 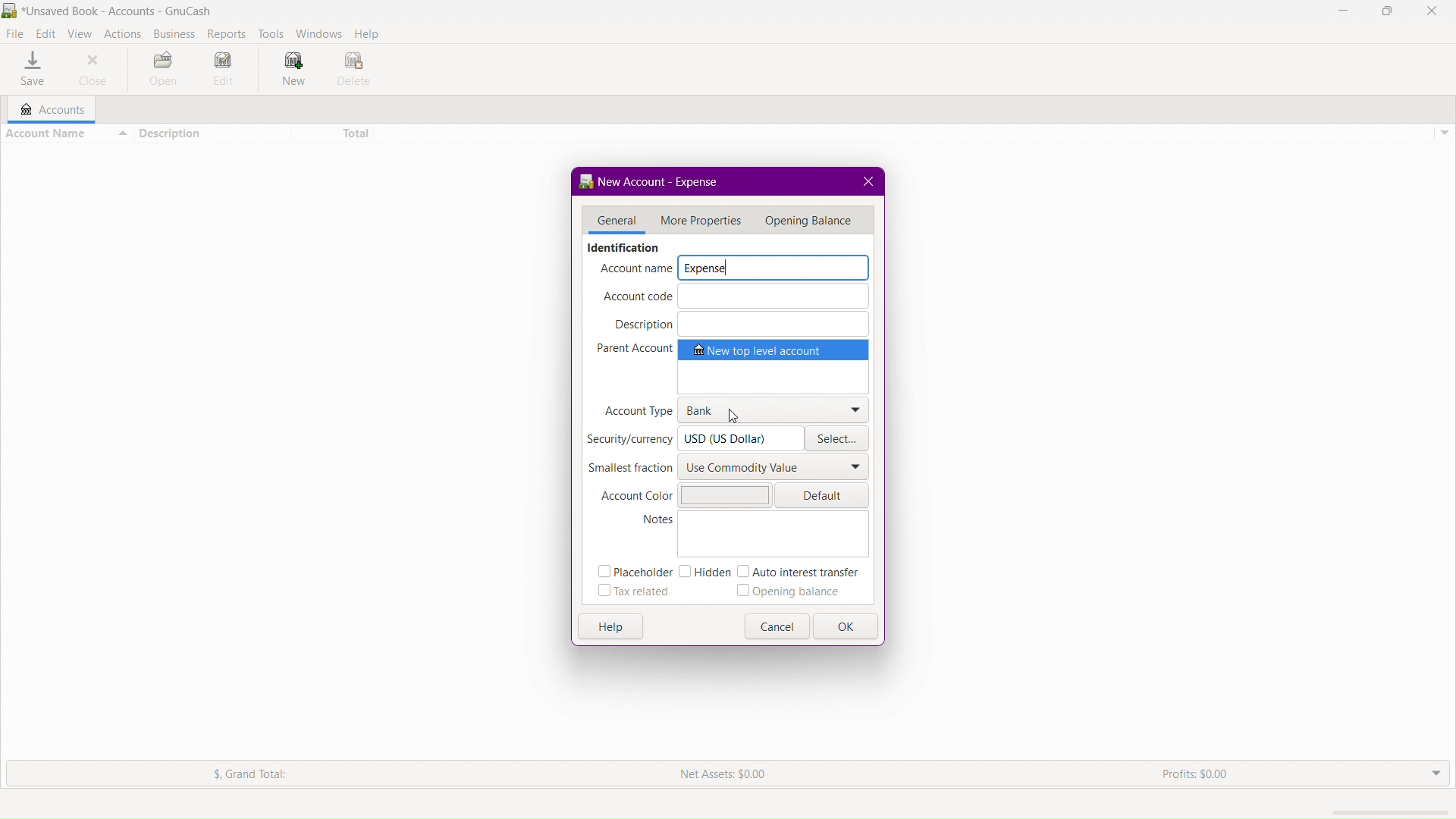 What do you see at coordinates (290, 71) in the screenshot?
I see `New` at bounding box center [290, 71].